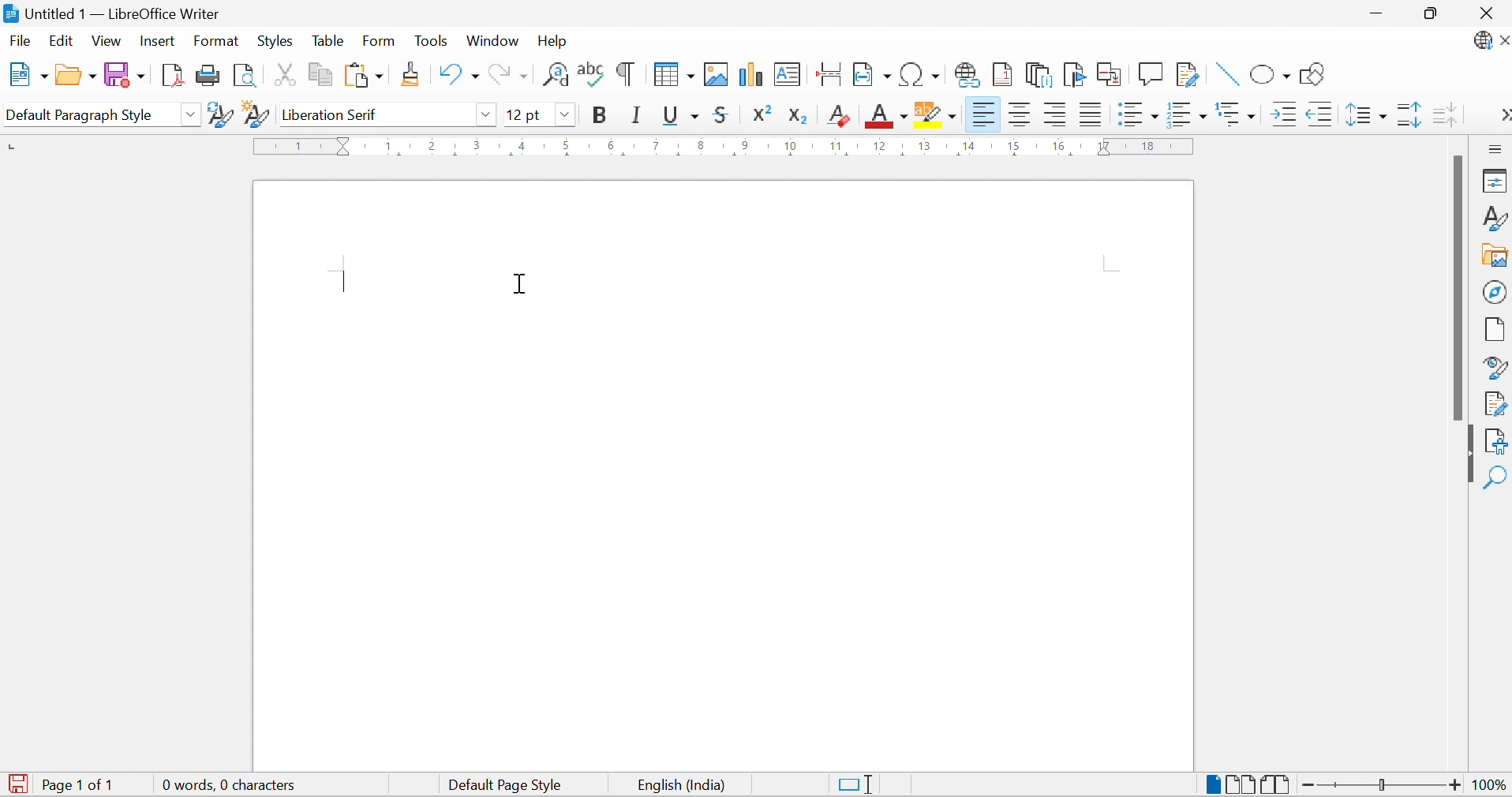 This screenshot has height=797, width=1512. Describe the element at coordinates (345, 146) in the screenshot. I see `Triangular Markers` at that location.